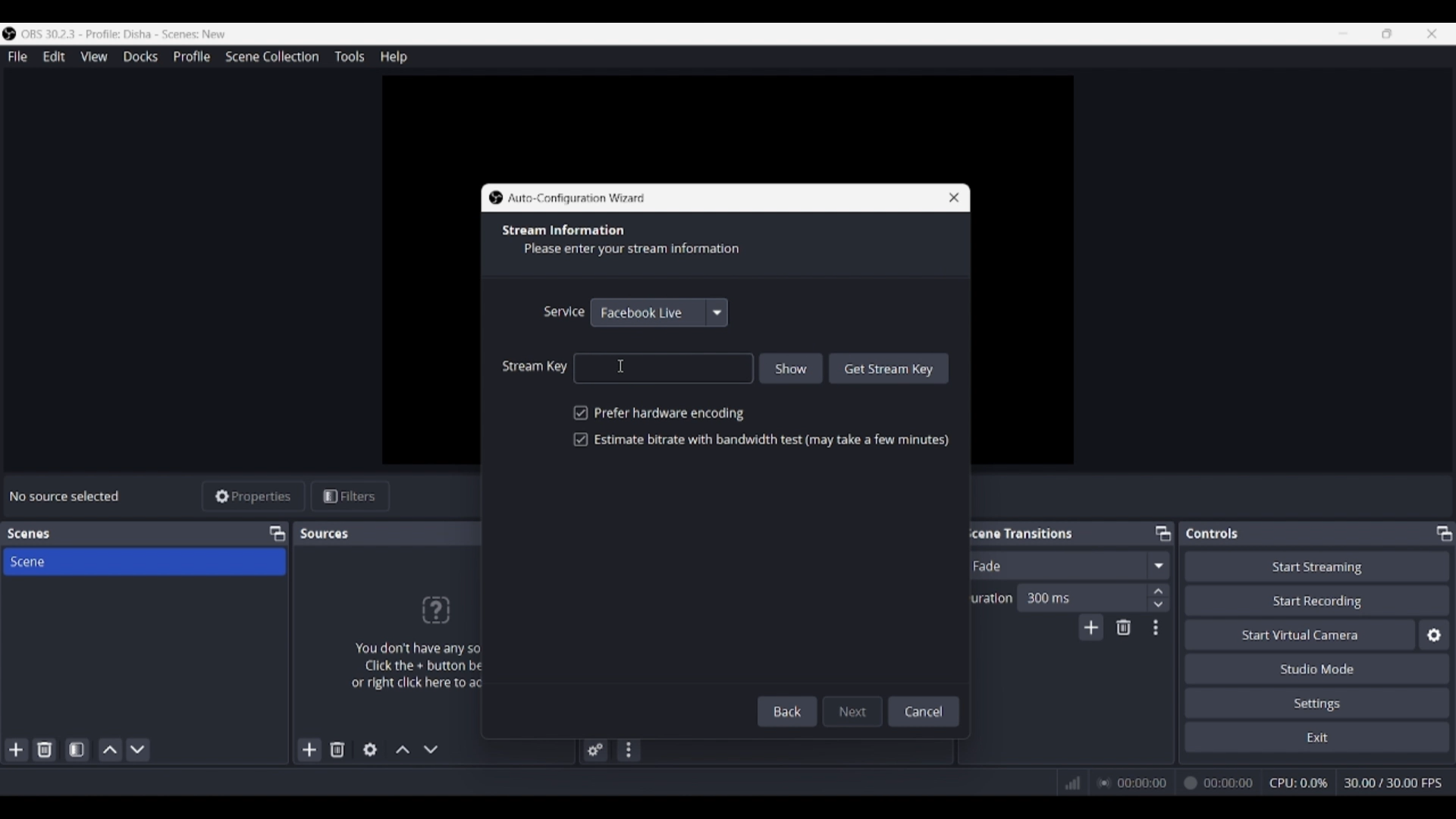  I want to click on Start recording, so click(1318, 600).